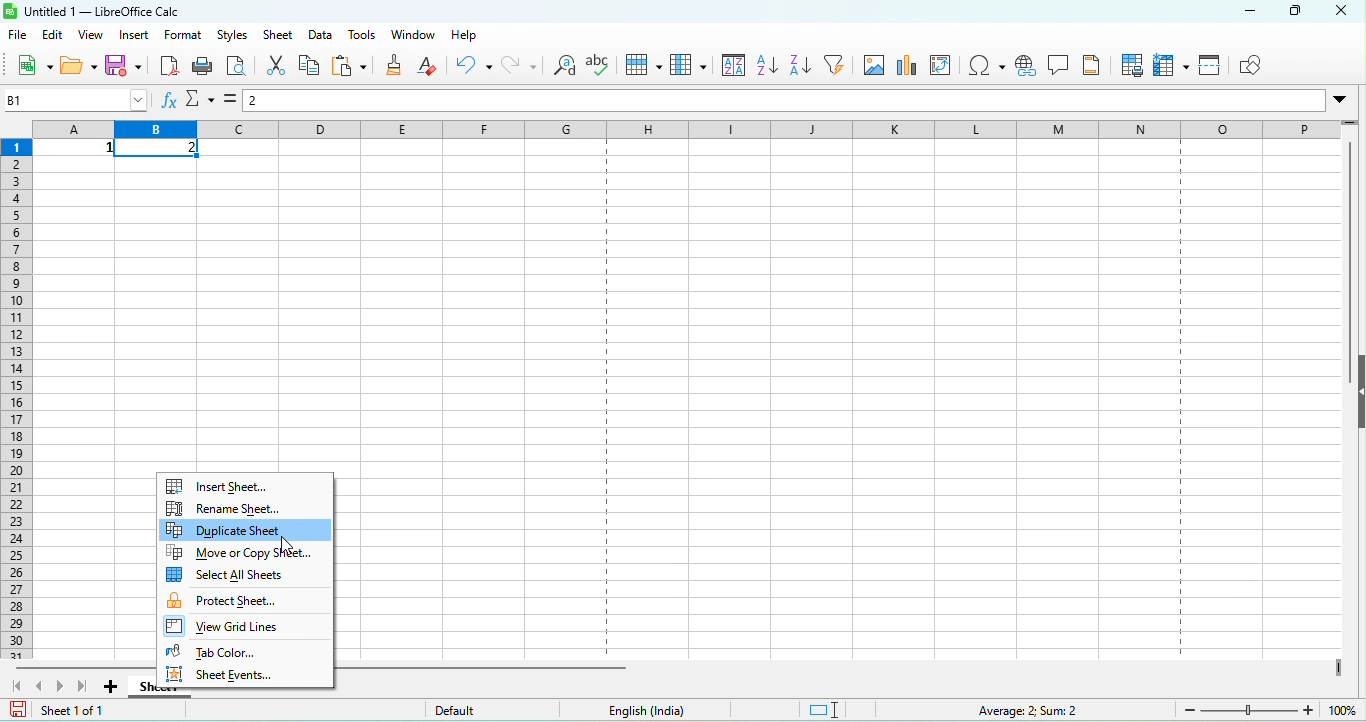  Describe the element at coordinates (167, 101) in the screenshot. I see `function wizard` at that location.